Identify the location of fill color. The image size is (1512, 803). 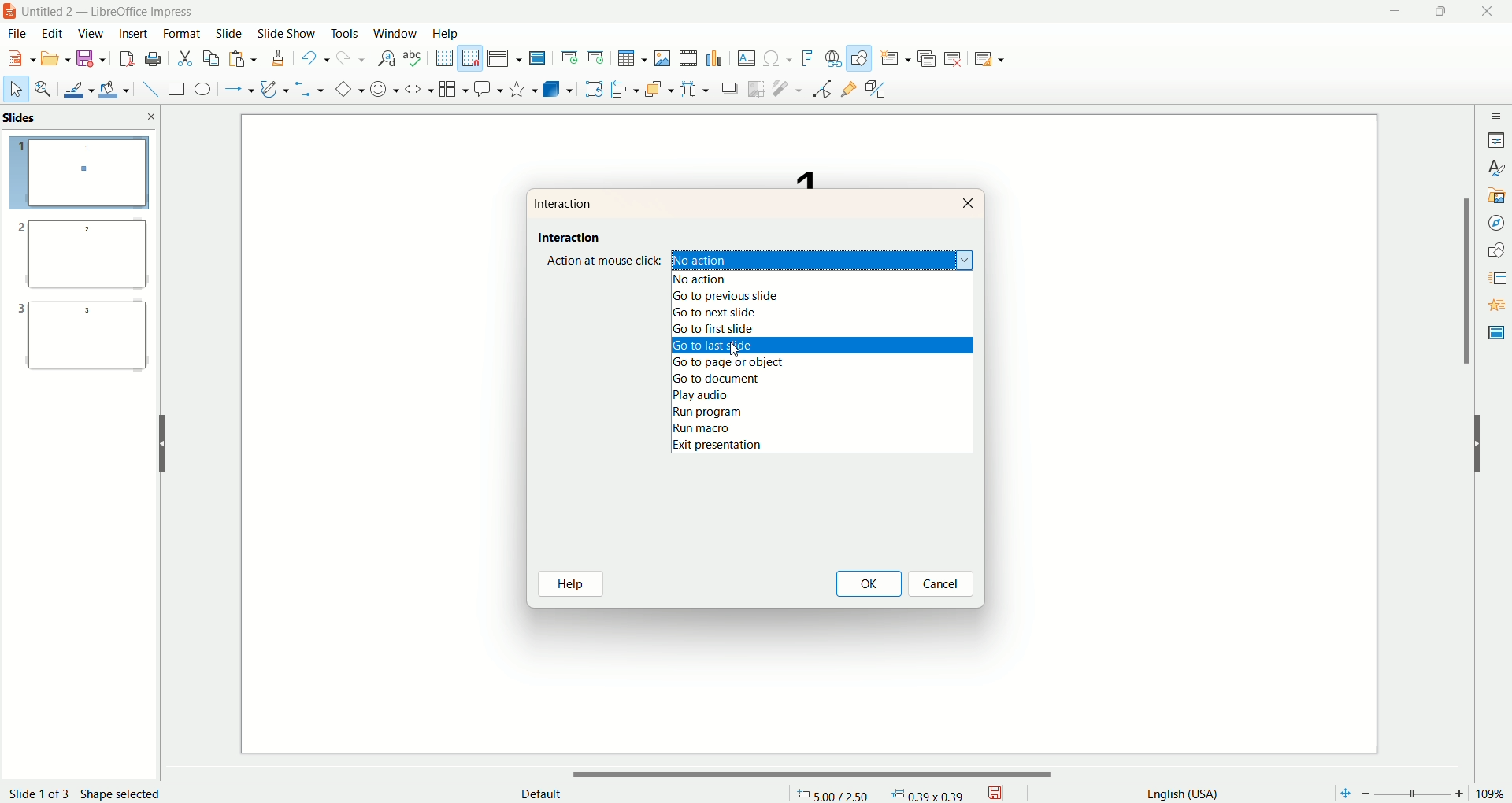
(113, 89).